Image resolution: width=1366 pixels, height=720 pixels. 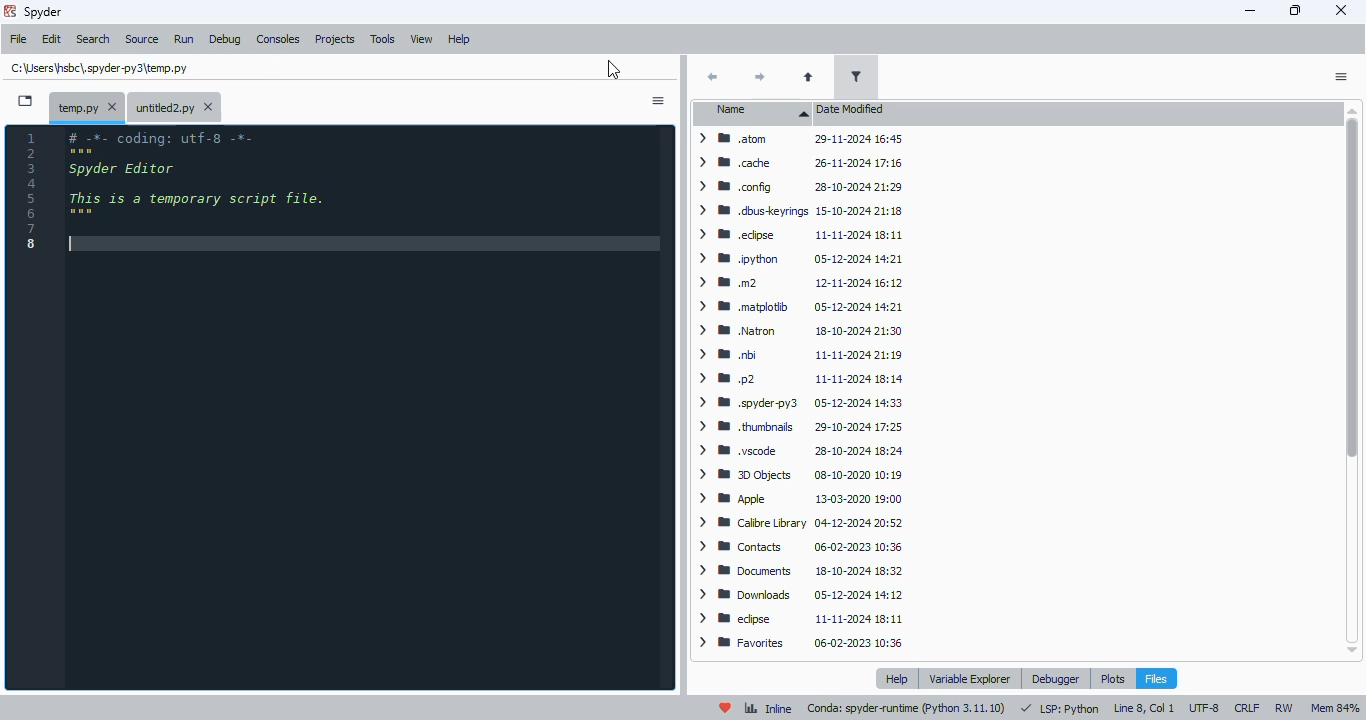 I want to click on > MW cache 26-11-2024 17:16, so click(x=801, y=163).